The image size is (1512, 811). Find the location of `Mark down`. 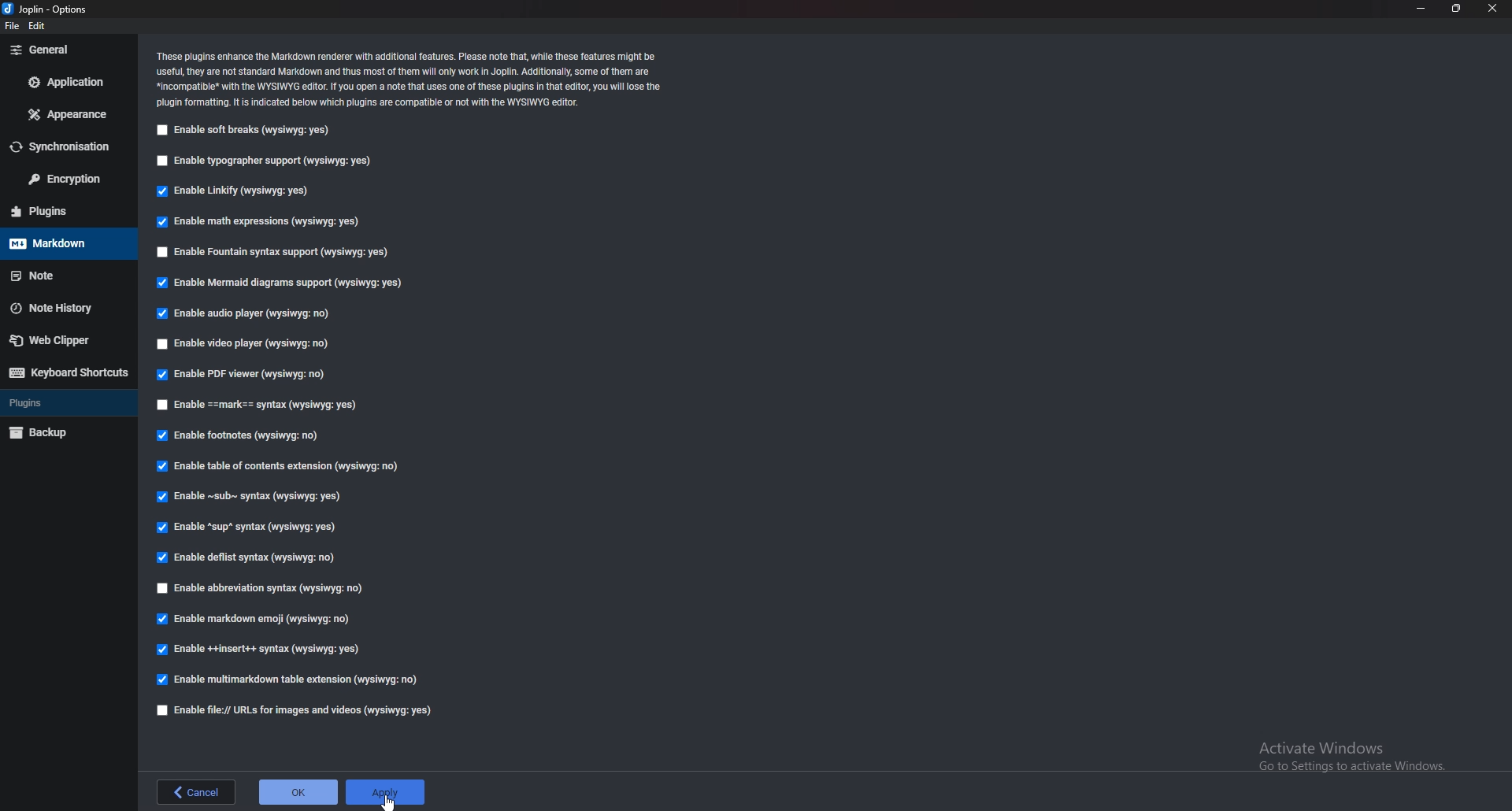

Mark down is located at coordinates (64, 244).